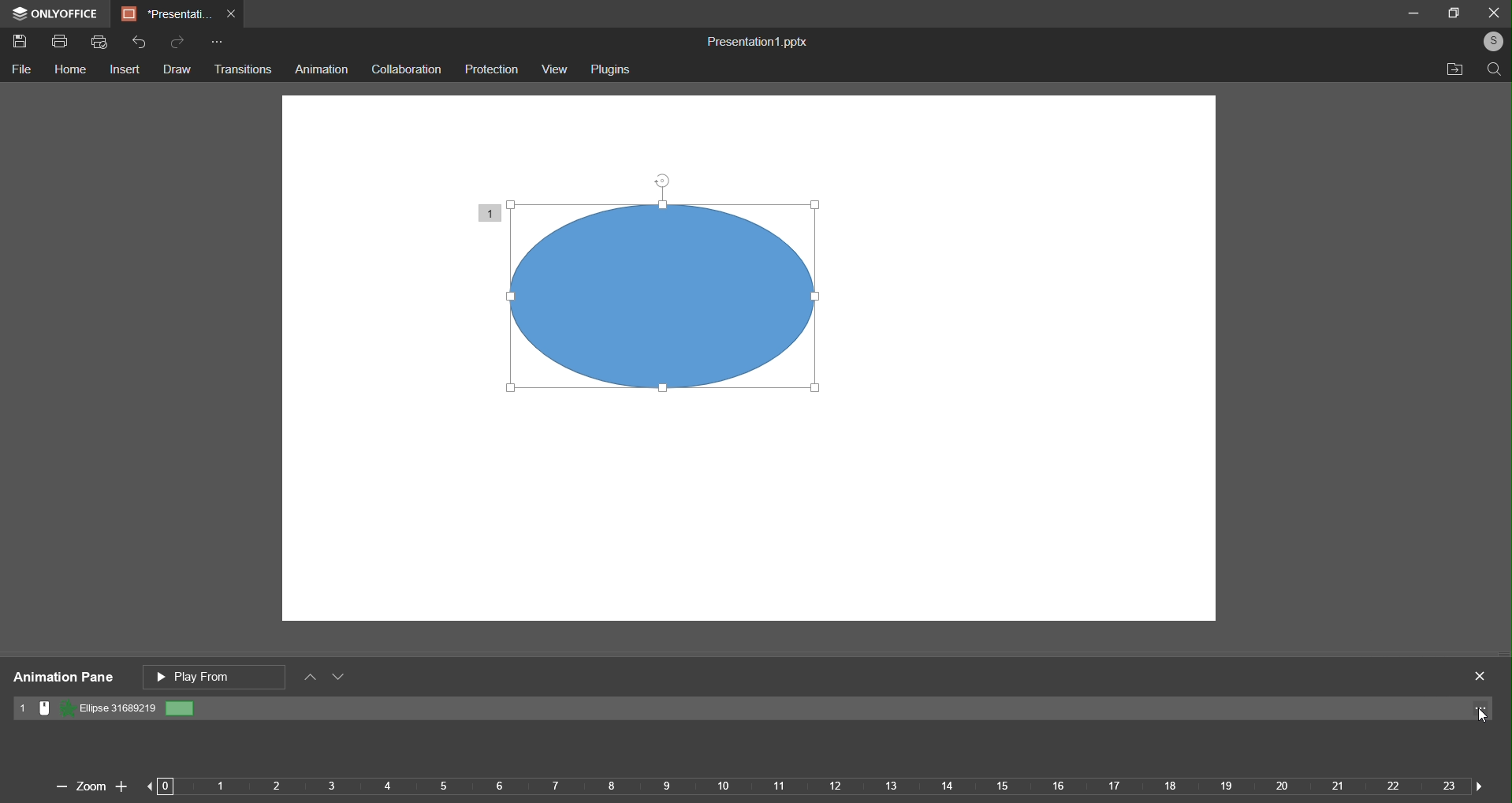 This screenshot has width=1512, height=803. What do you see at coordinates (1493, 11) in the screenshot?
I see `close` at bounding box center [1493, 11].